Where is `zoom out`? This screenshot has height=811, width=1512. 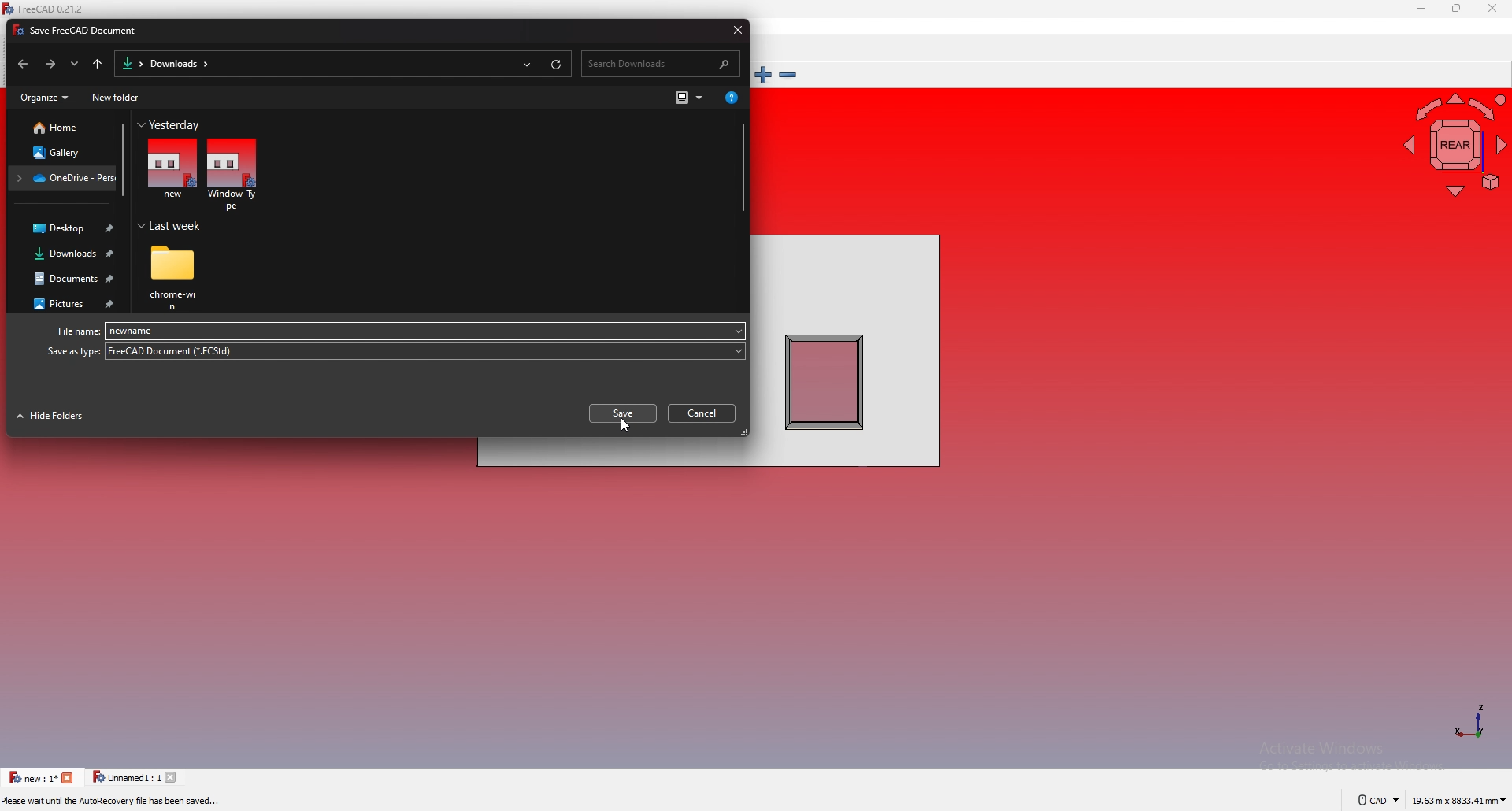 zoom out is located at coordinates (788, 75).